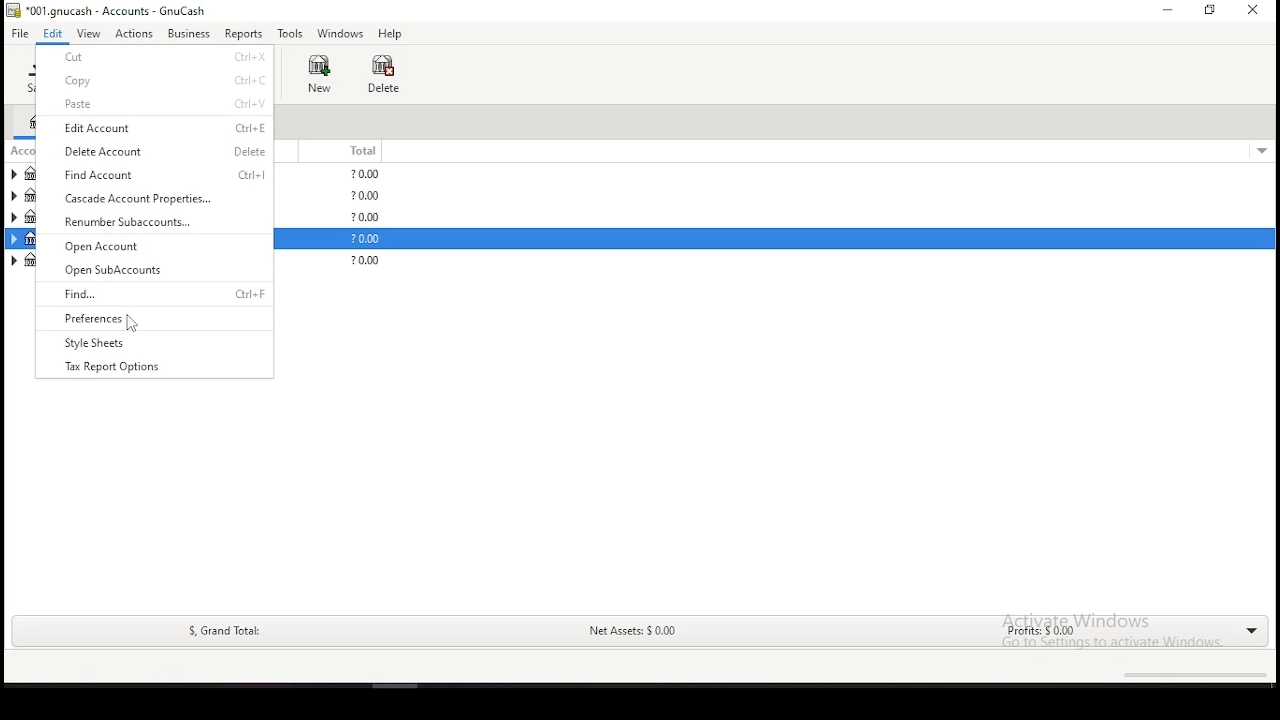 This screenshot has width=1280, height=720. I want to click on ? 0.00, so click(361, 240).